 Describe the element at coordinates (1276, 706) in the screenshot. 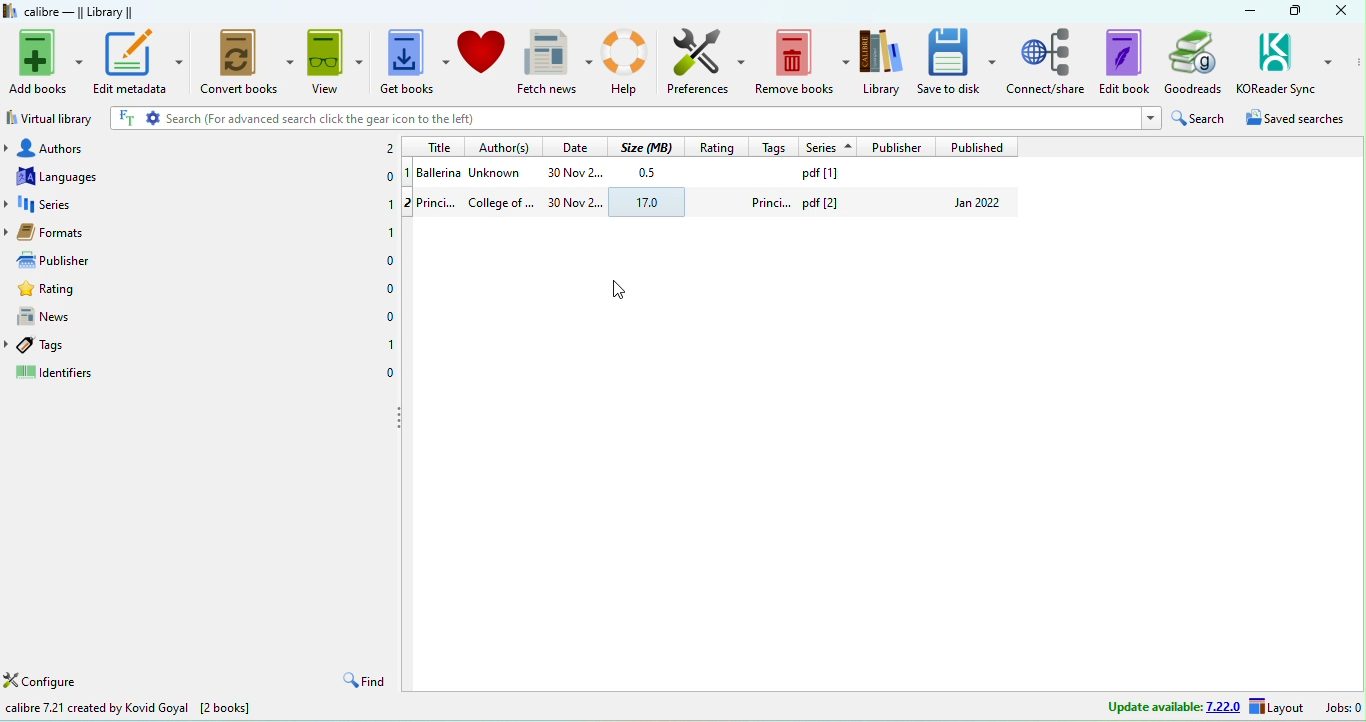

I see `layout` at that location.